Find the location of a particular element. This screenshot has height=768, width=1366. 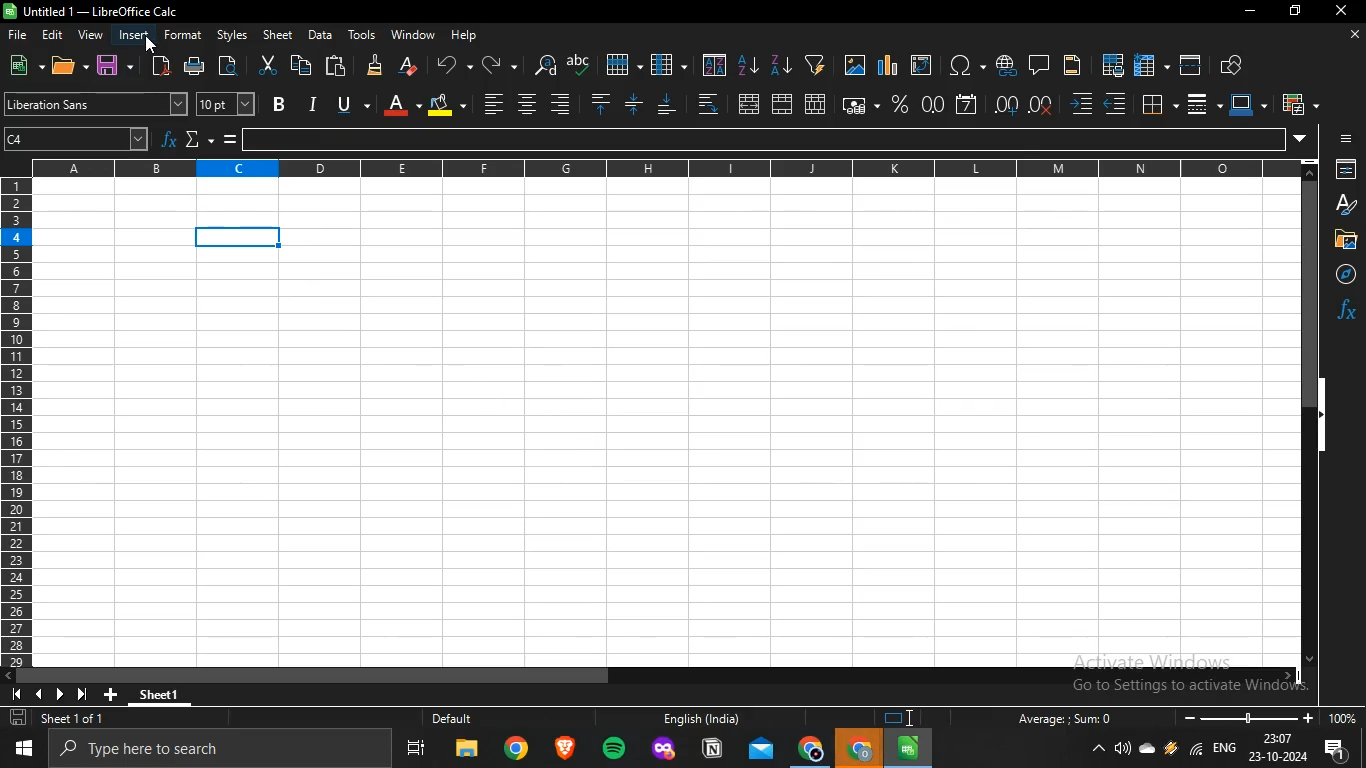

function is located at coordinates (1346, 309).